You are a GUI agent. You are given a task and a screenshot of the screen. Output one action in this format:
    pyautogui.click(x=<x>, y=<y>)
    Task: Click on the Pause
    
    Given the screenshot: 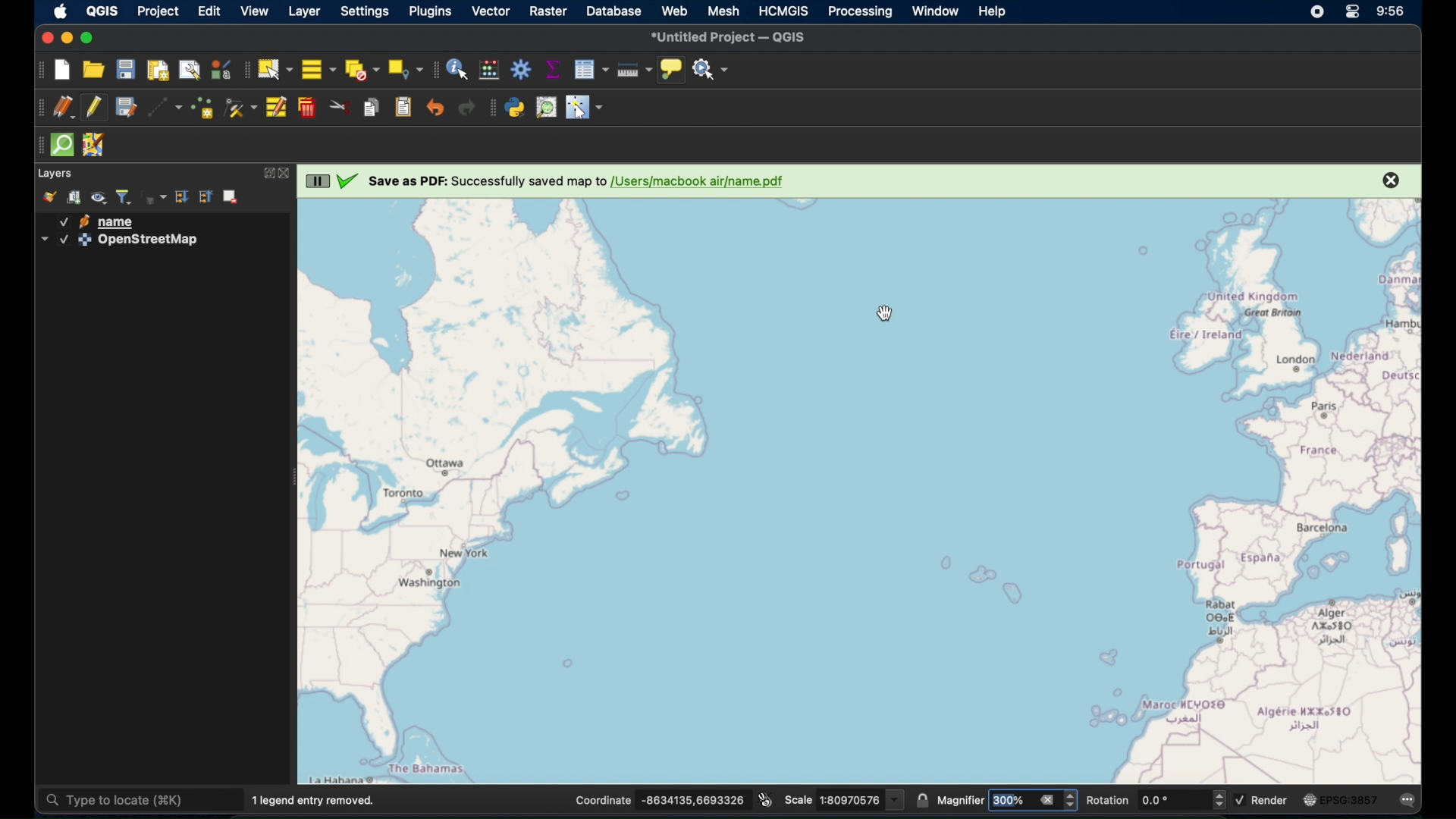 What is the action you would take?
    pyautogui.click(x=317, y=180)
    